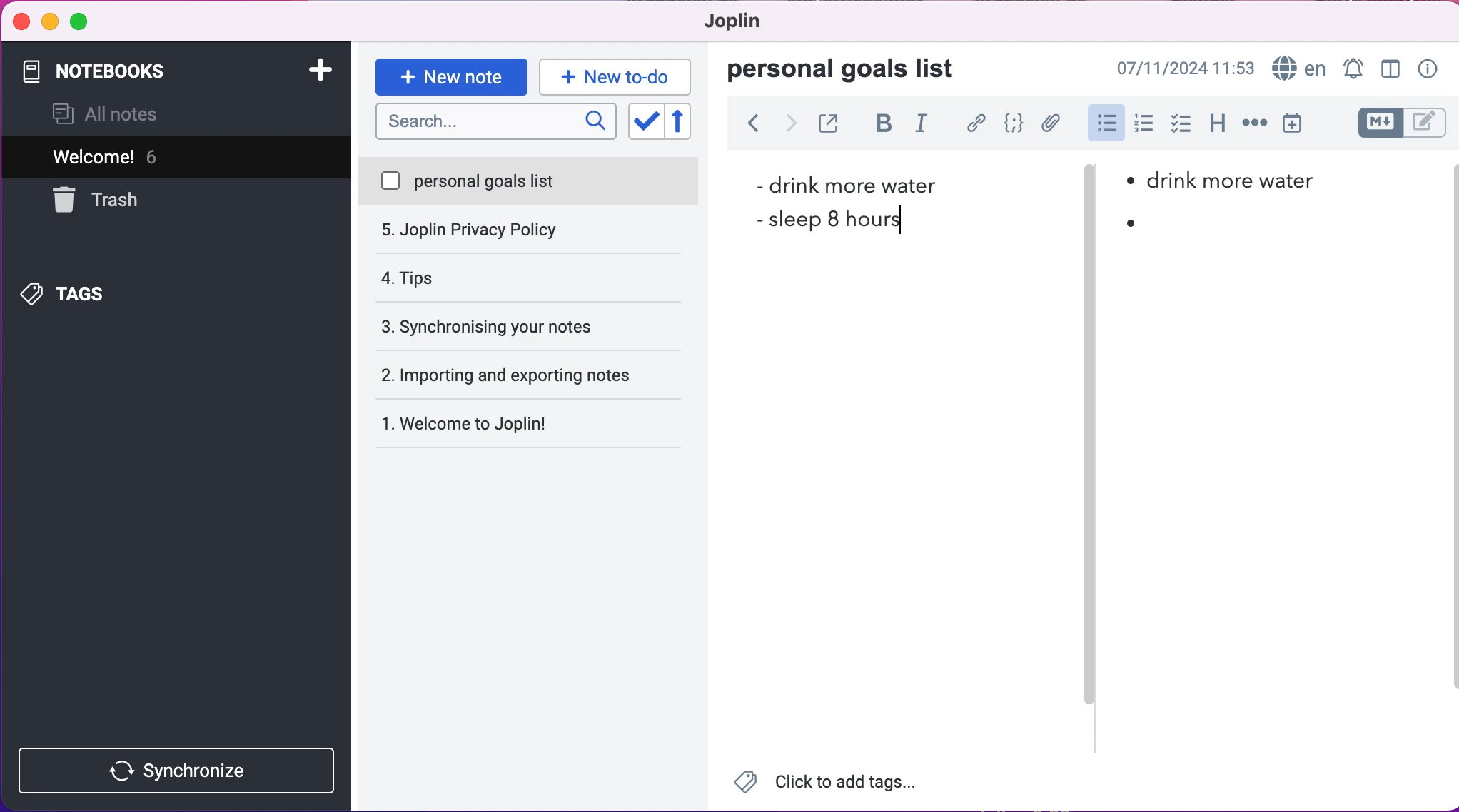 This screenshot has width=1459, height=812. I want to click on check box, so click(1181, 128).